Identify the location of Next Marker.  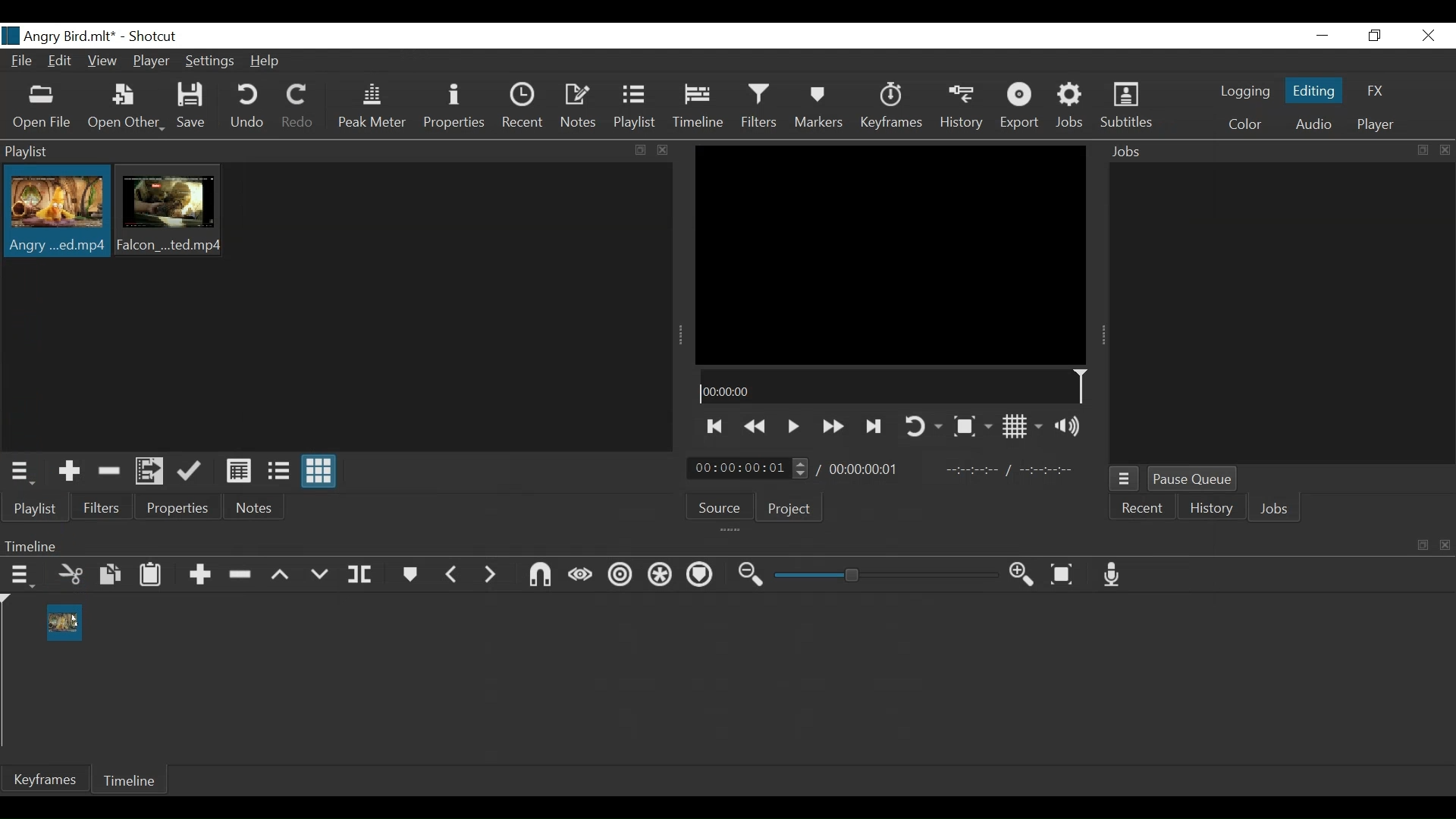
(491, 576).